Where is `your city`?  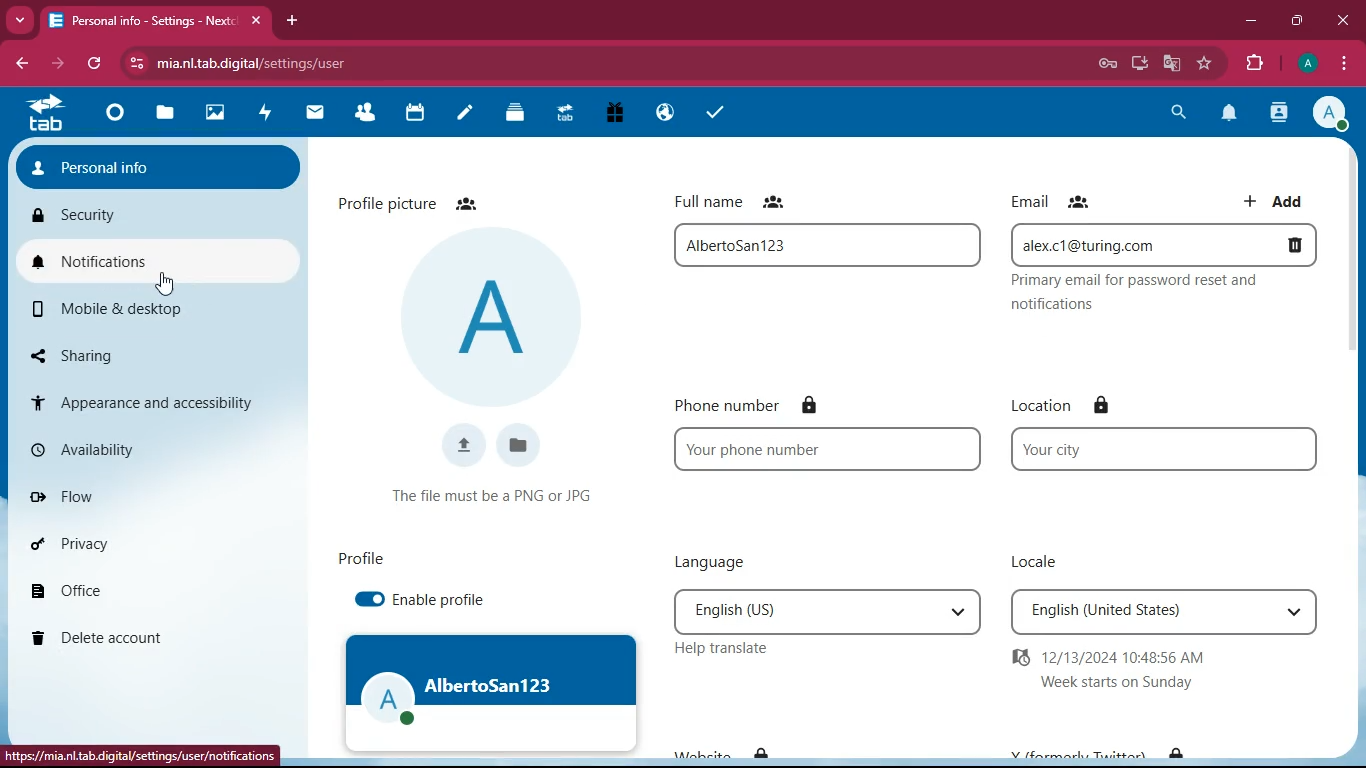 your city is located at coordinates (1163, 448).